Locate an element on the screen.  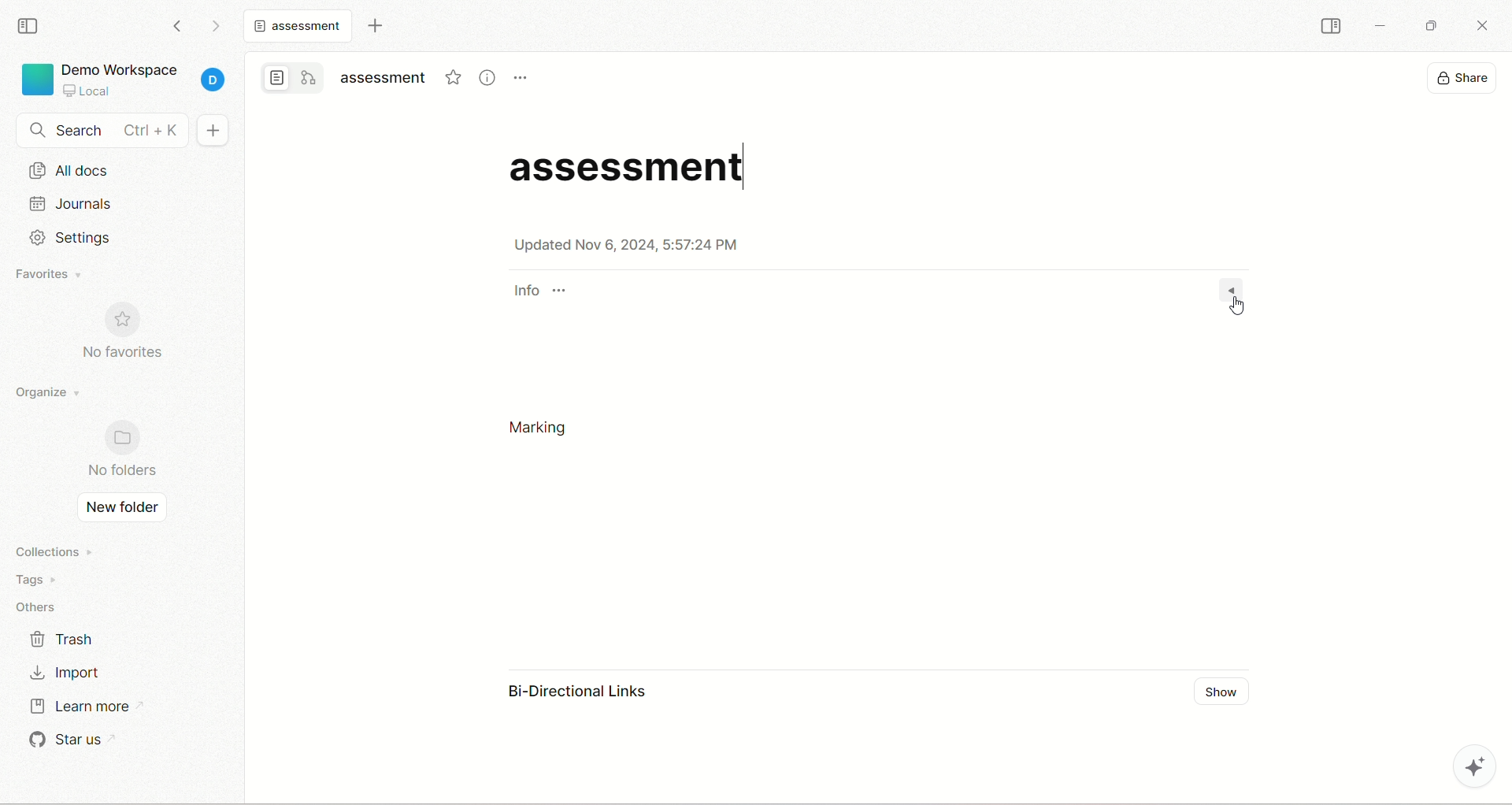
collapse sidebar is located at coordinates (31, 27).